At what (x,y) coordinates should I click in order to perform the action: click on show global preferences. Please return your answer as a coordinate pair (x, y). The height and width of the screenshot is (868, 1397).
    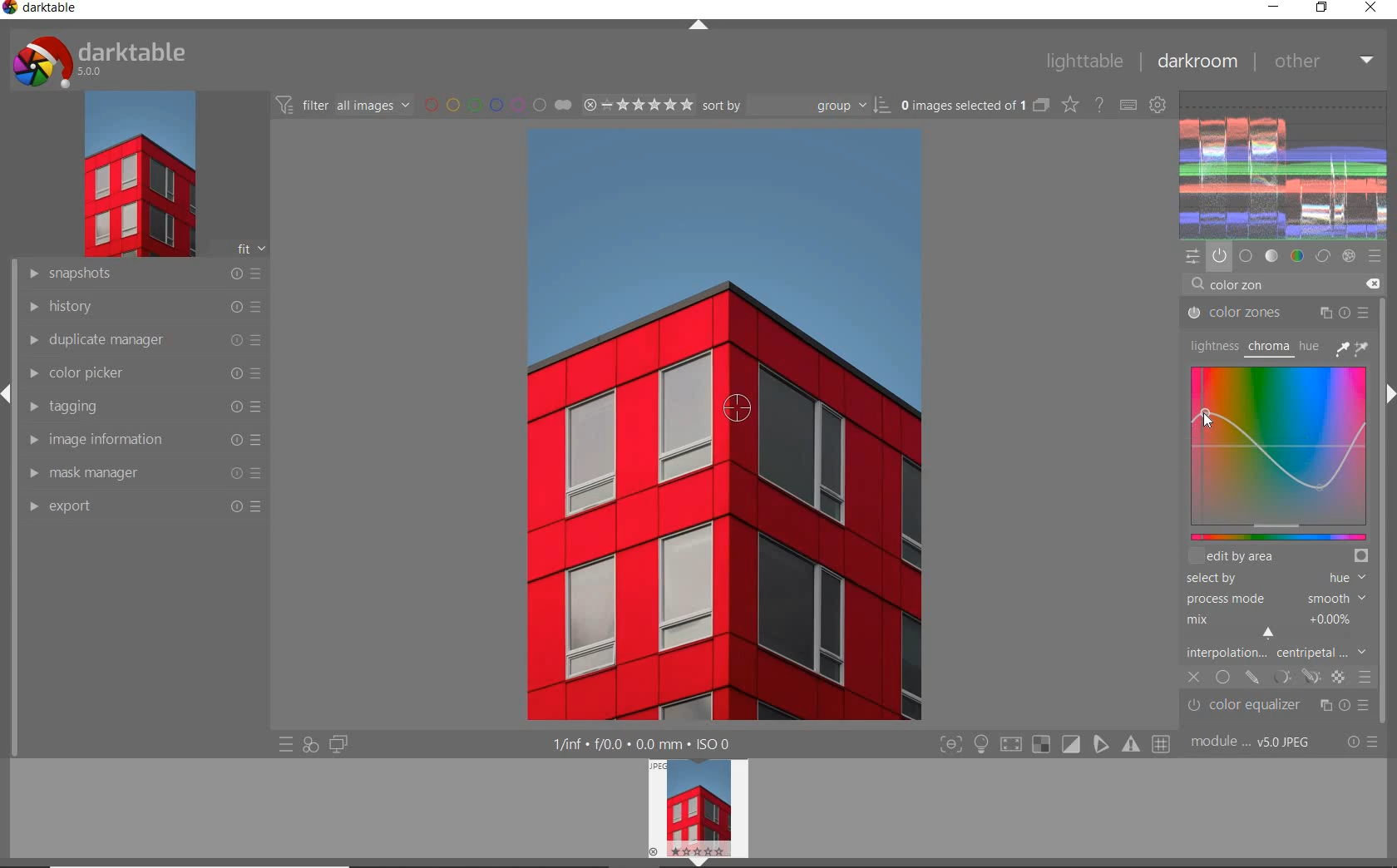
    Looking at the image, I should click on (1159, 106).